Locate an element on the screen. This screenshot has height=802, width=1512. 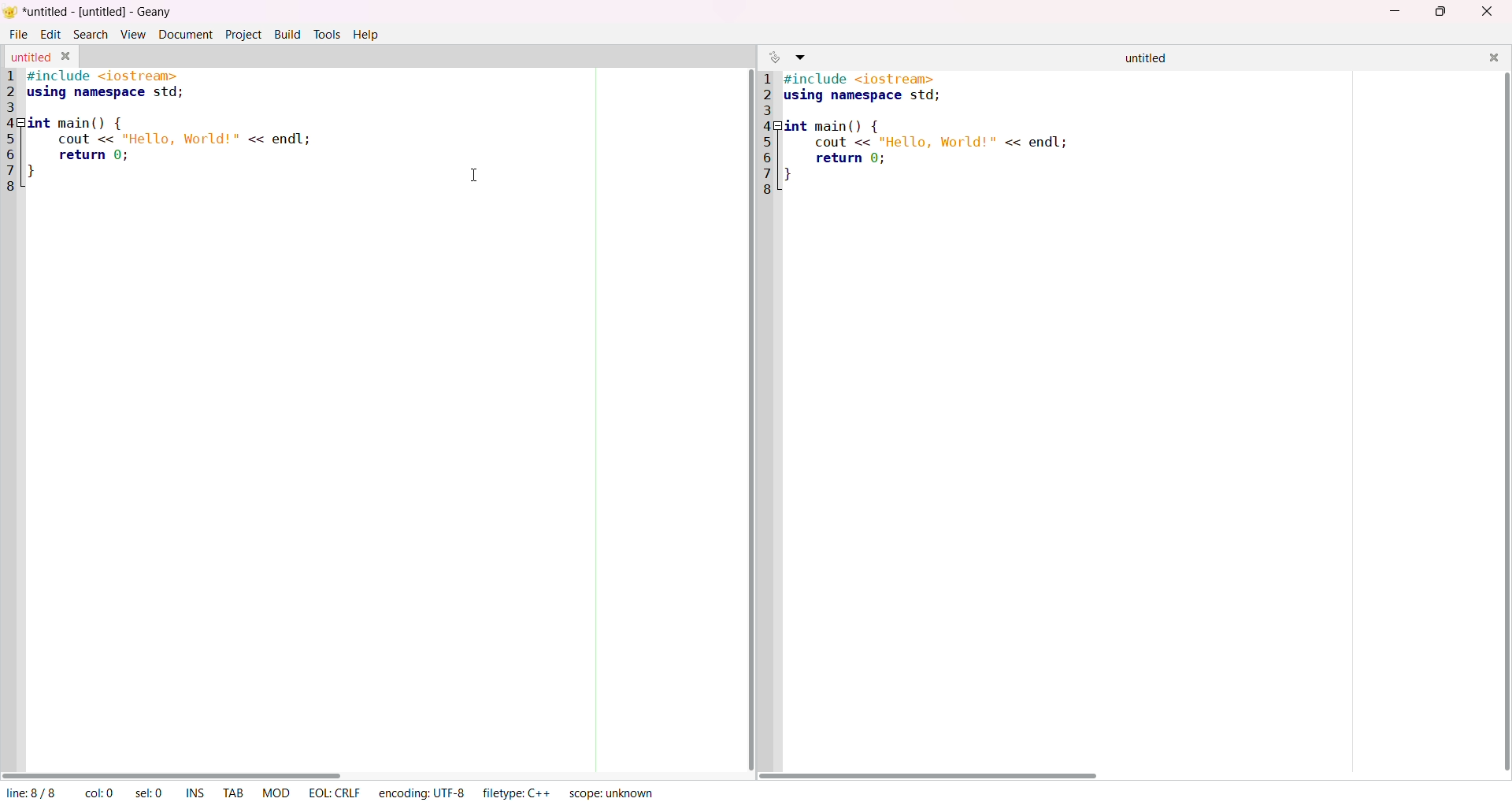
close is located at coordinates (1484, 13).